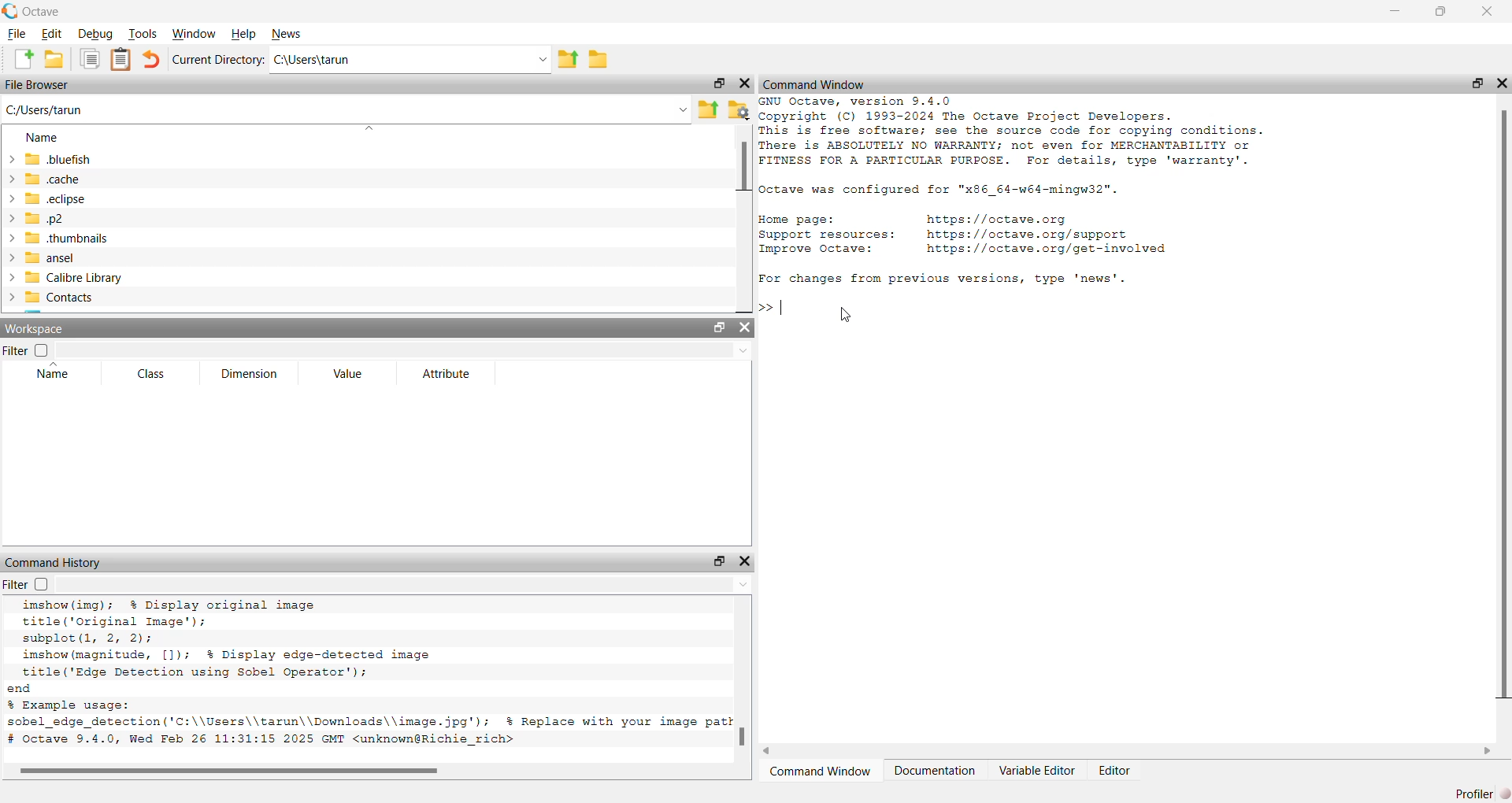 The image size is (1512, 803). I want to click on vertical scroll bar, so click(1501, 405).